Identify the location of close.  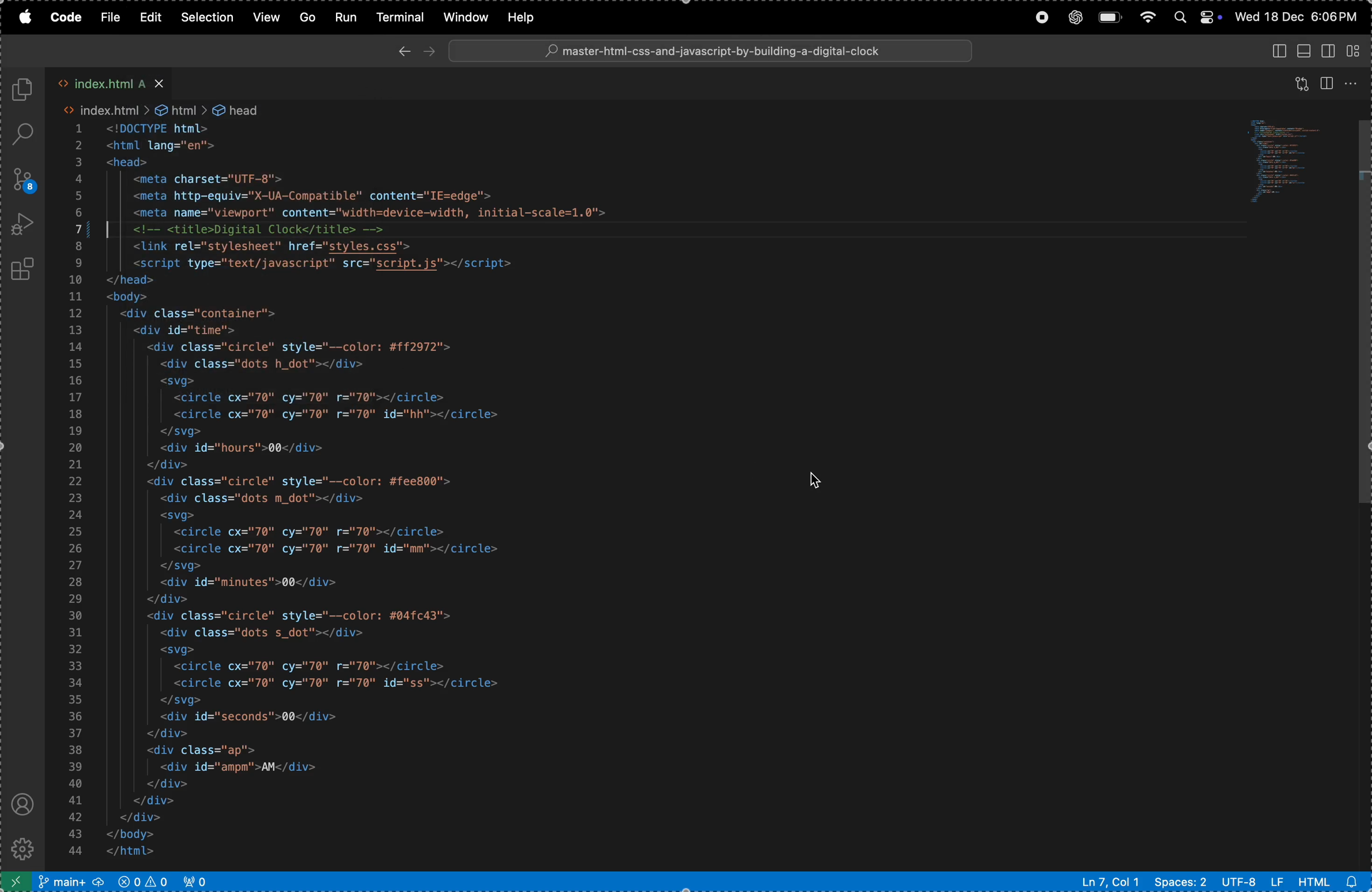
(158, 81).